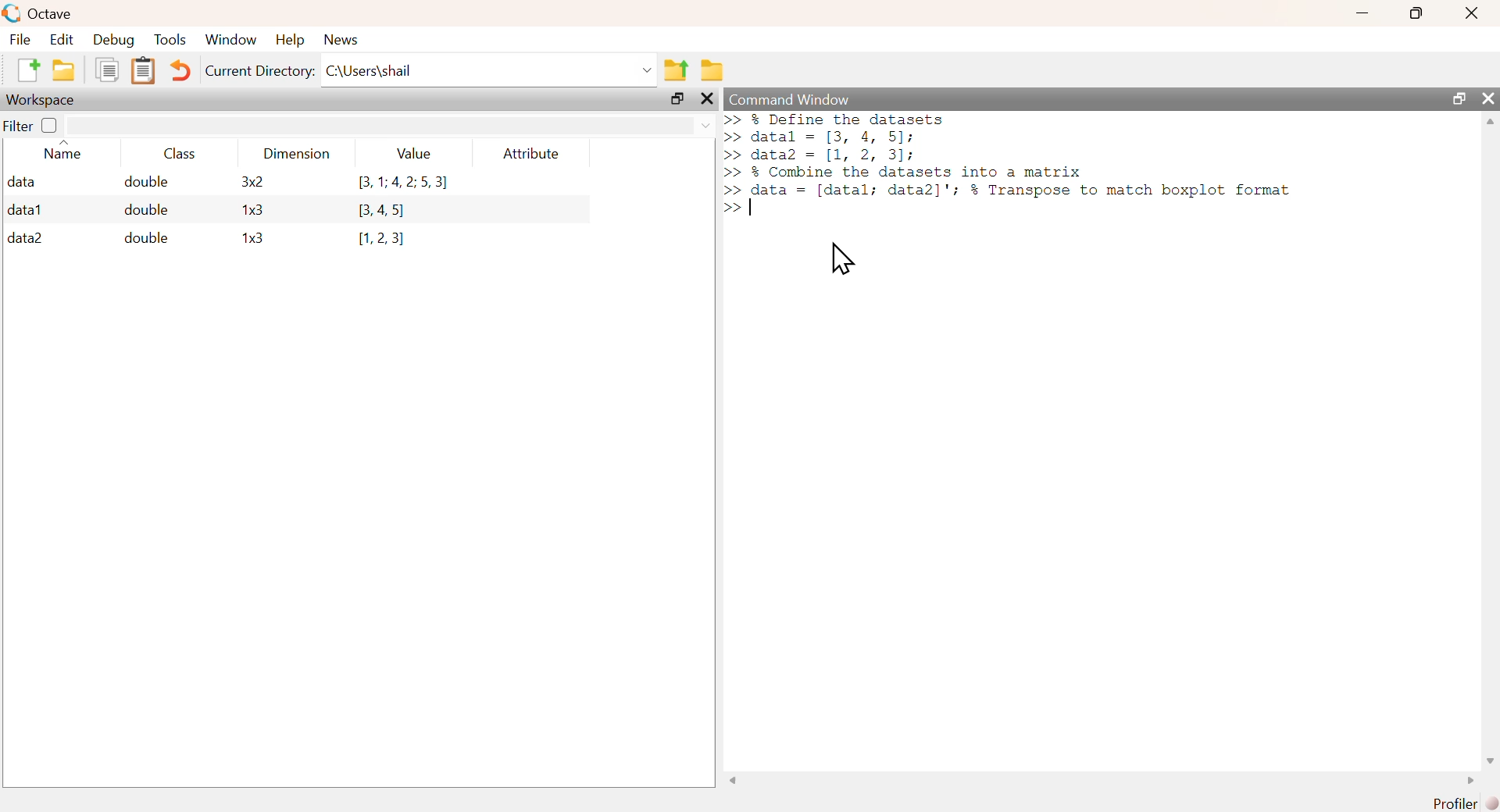 The height and width of the screenshot is (812, 1500). I want to click on close, so click(1488, 98).